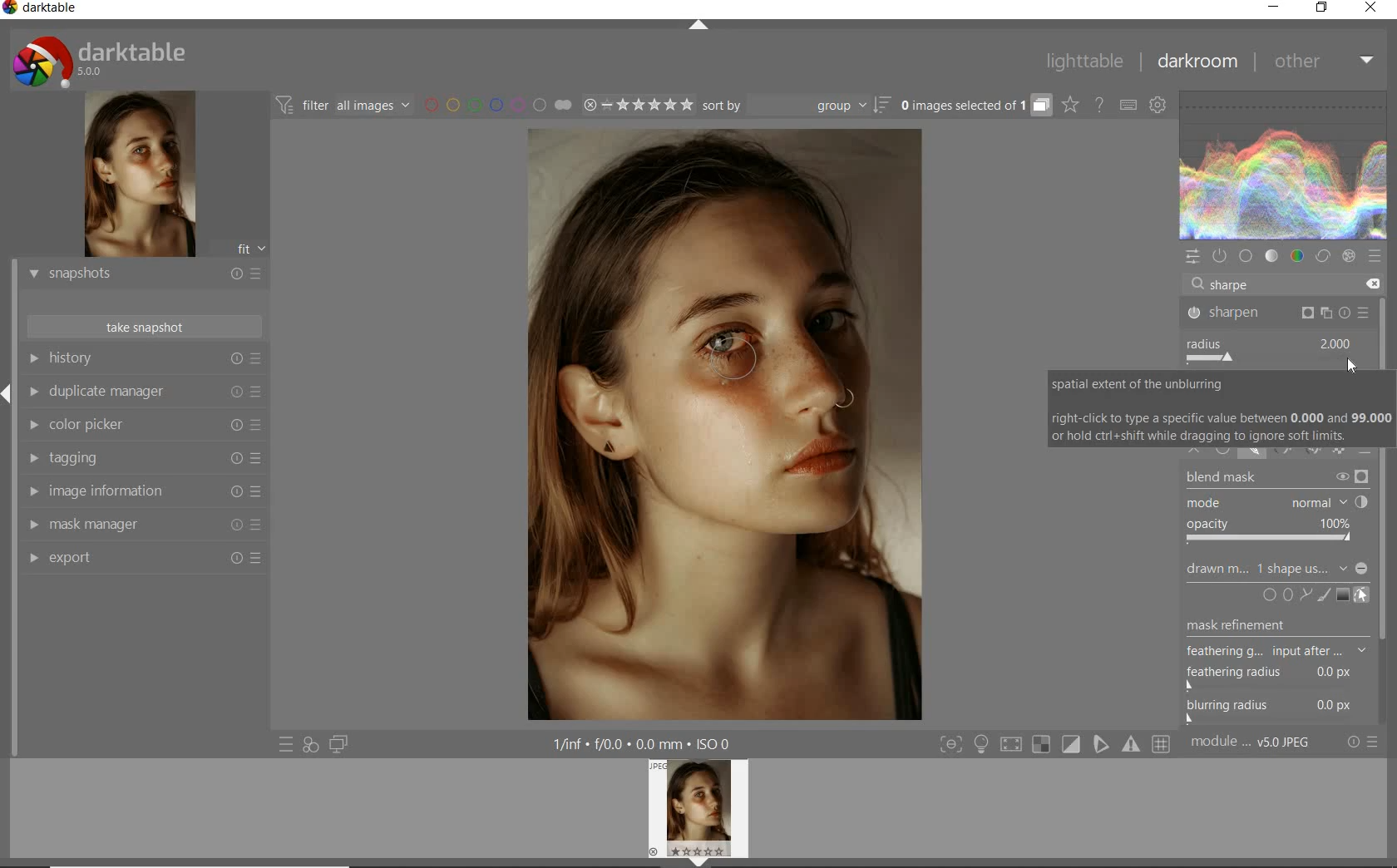 The image size is (1397, 868). Describe the element at coordinates (1230, 284) in the screenshot. I see `INPUT VALUE` at that location.